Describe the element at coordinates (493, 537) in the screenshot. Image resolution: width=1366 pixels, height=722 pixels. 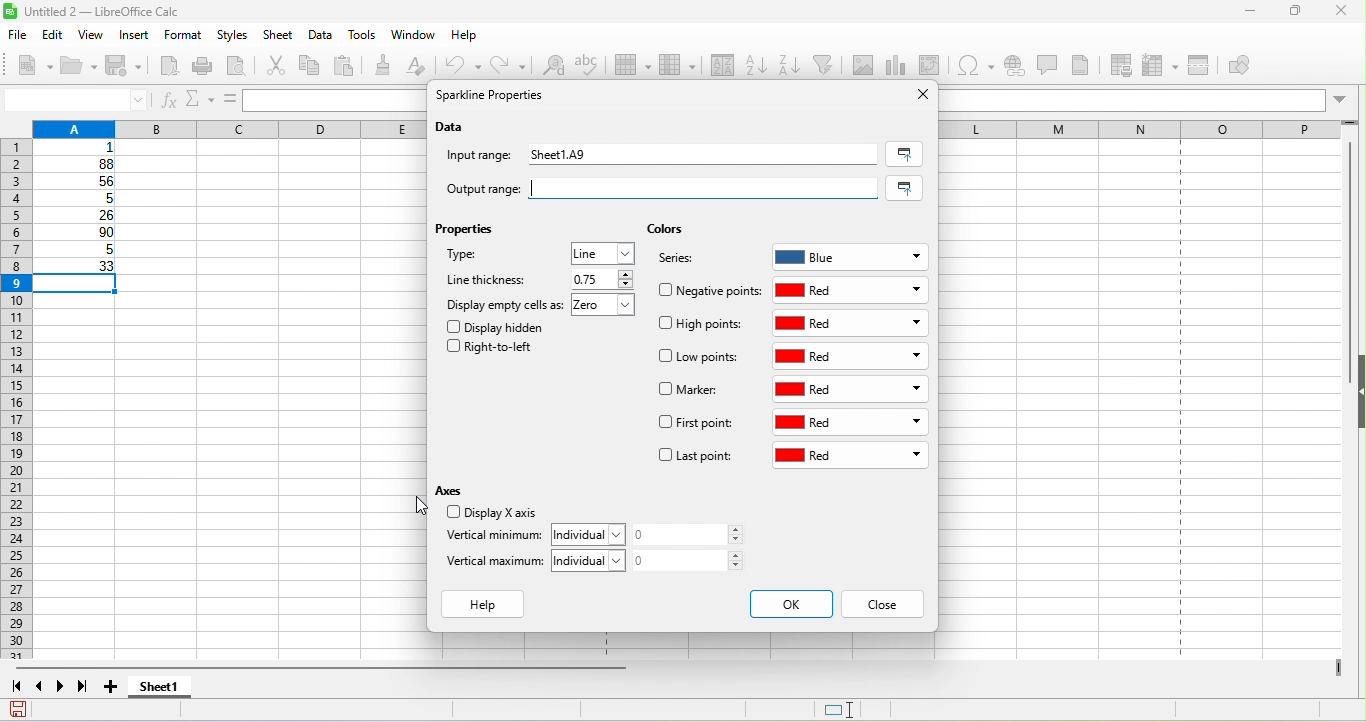
I see `vertical minimum` at that location.